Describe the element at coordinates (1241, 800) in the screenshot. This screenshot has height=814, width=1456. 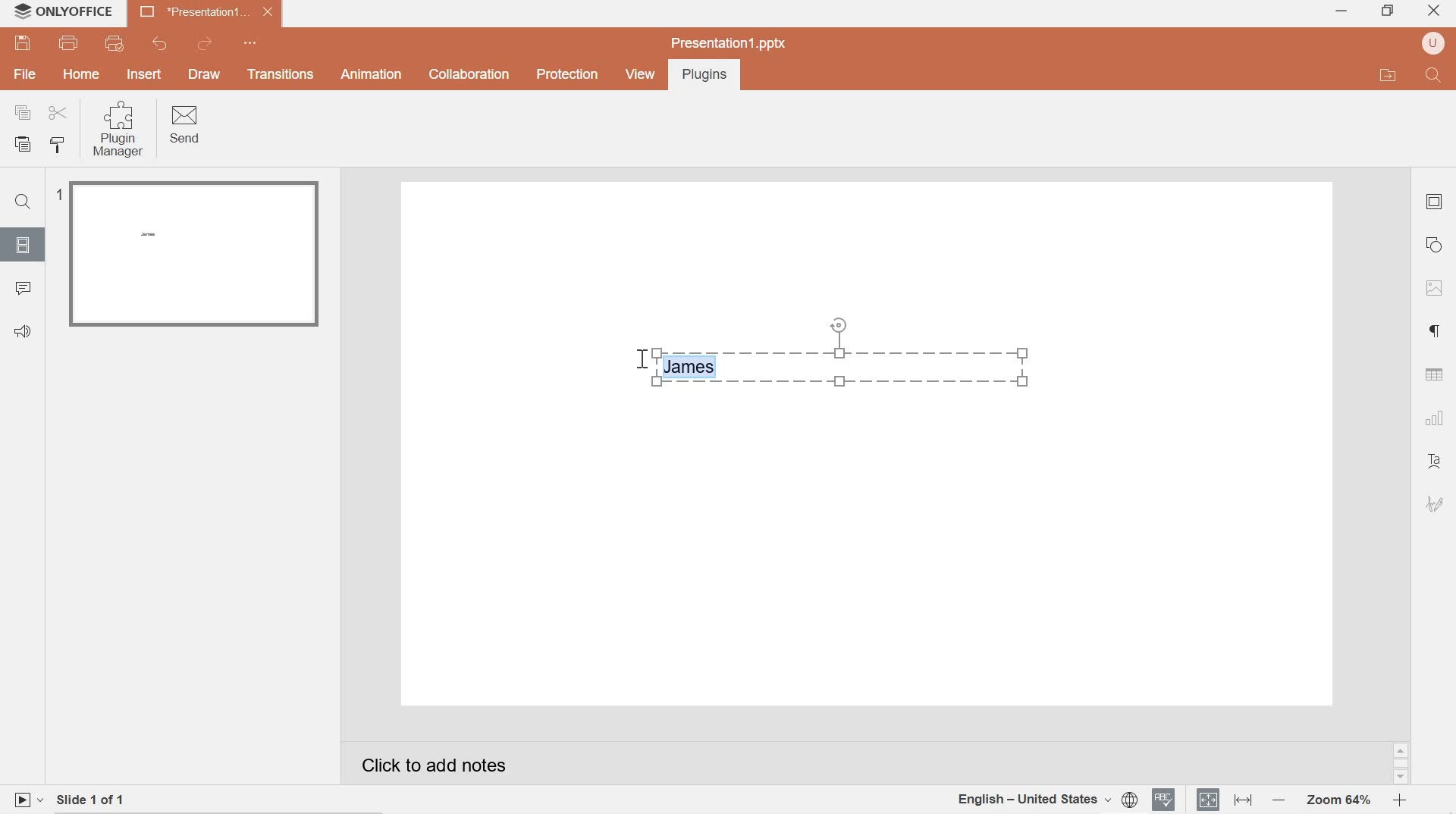
I see `fit to width` at that location.